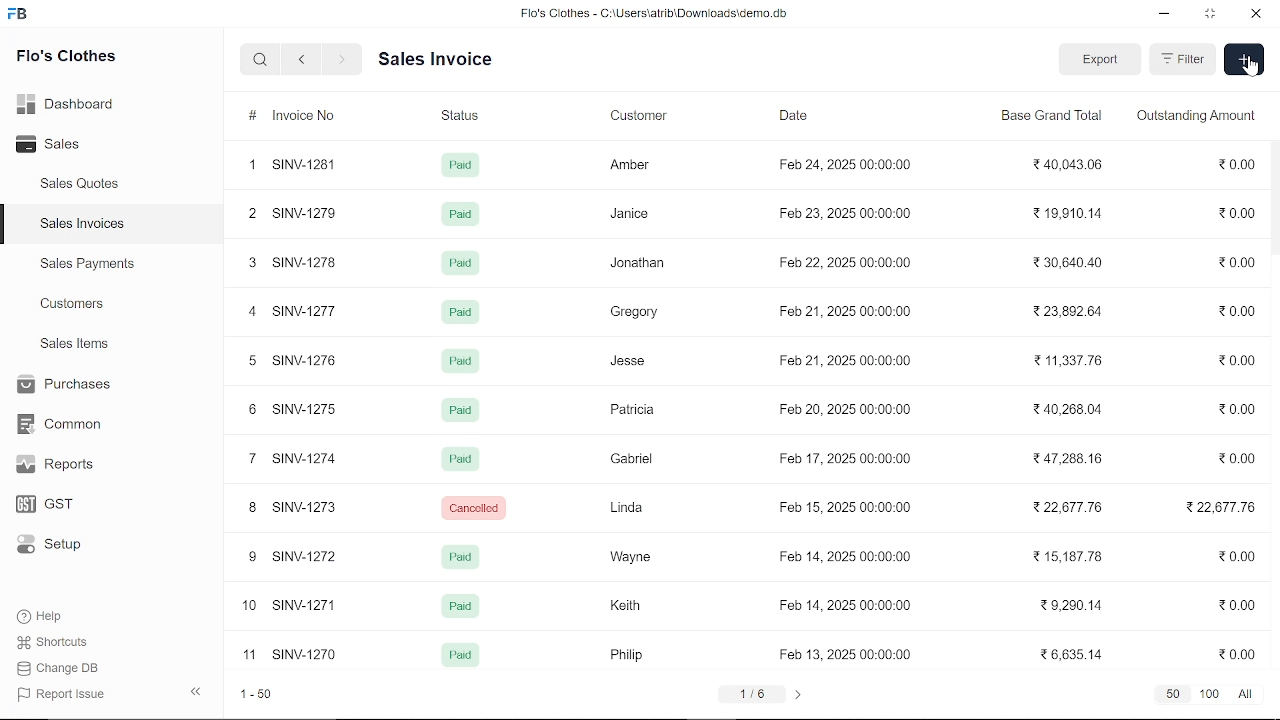 The width and height of the screenshot is (1280, 720). What do you see at coordinates (1210, 695) in the screenshot?
I see `100` at bounding box center [1210, 695].